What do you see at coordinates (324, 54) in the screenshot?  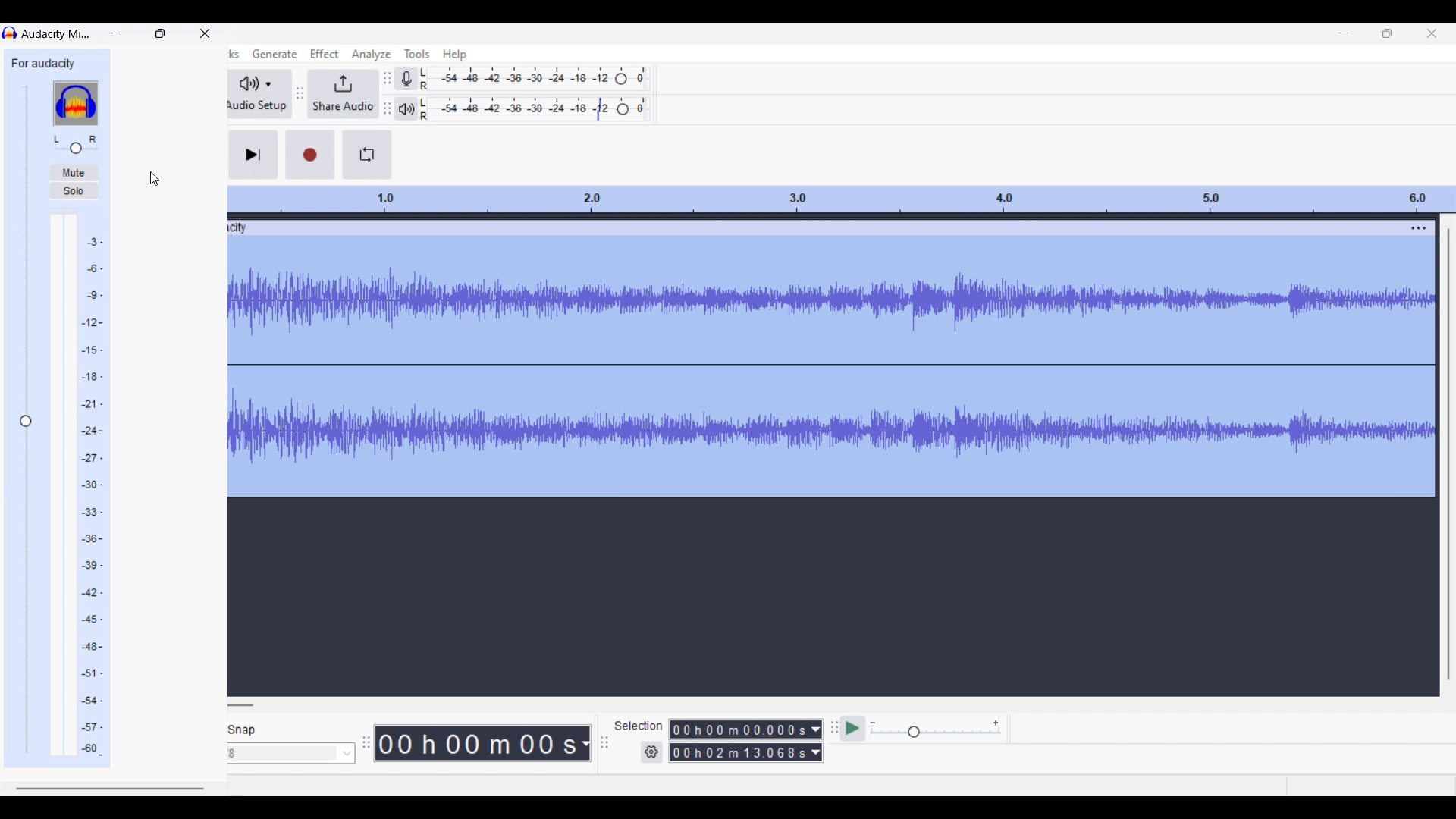 I see `Effect menu` at bounding box center [324, 54].